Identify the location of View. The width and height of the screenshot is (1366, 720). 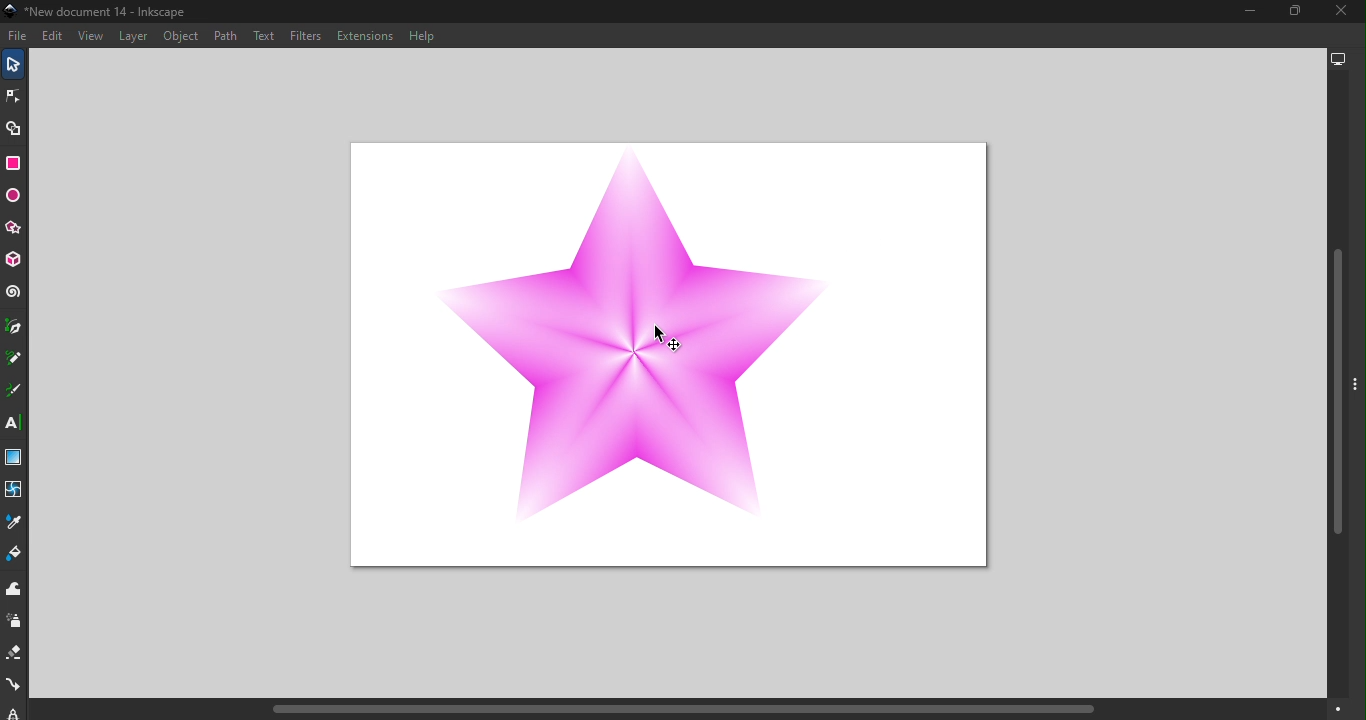
(91, 38).